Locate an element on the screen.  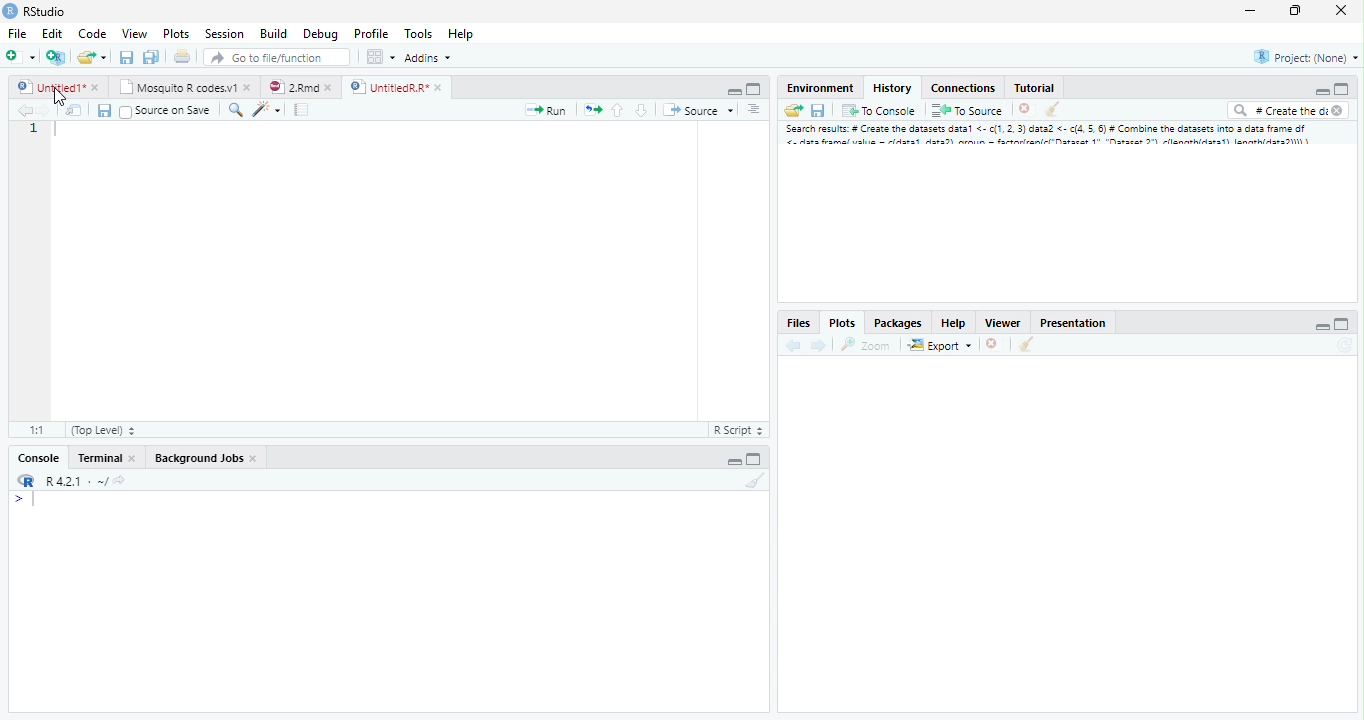
New file is located at coordinates (20, 55).